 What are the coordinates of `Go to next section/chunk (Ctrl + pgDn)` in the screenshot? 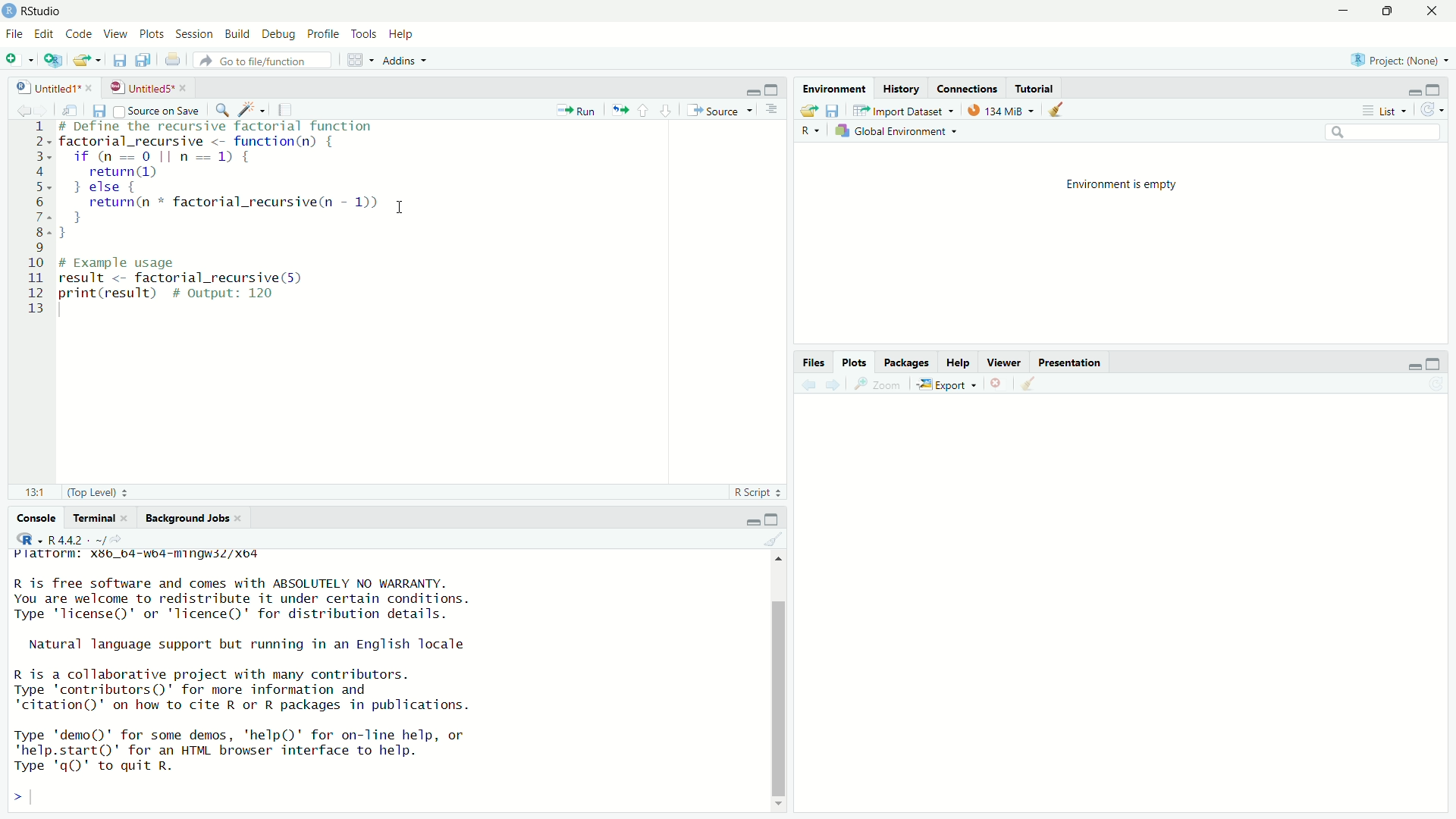 It's located at (664, 109).